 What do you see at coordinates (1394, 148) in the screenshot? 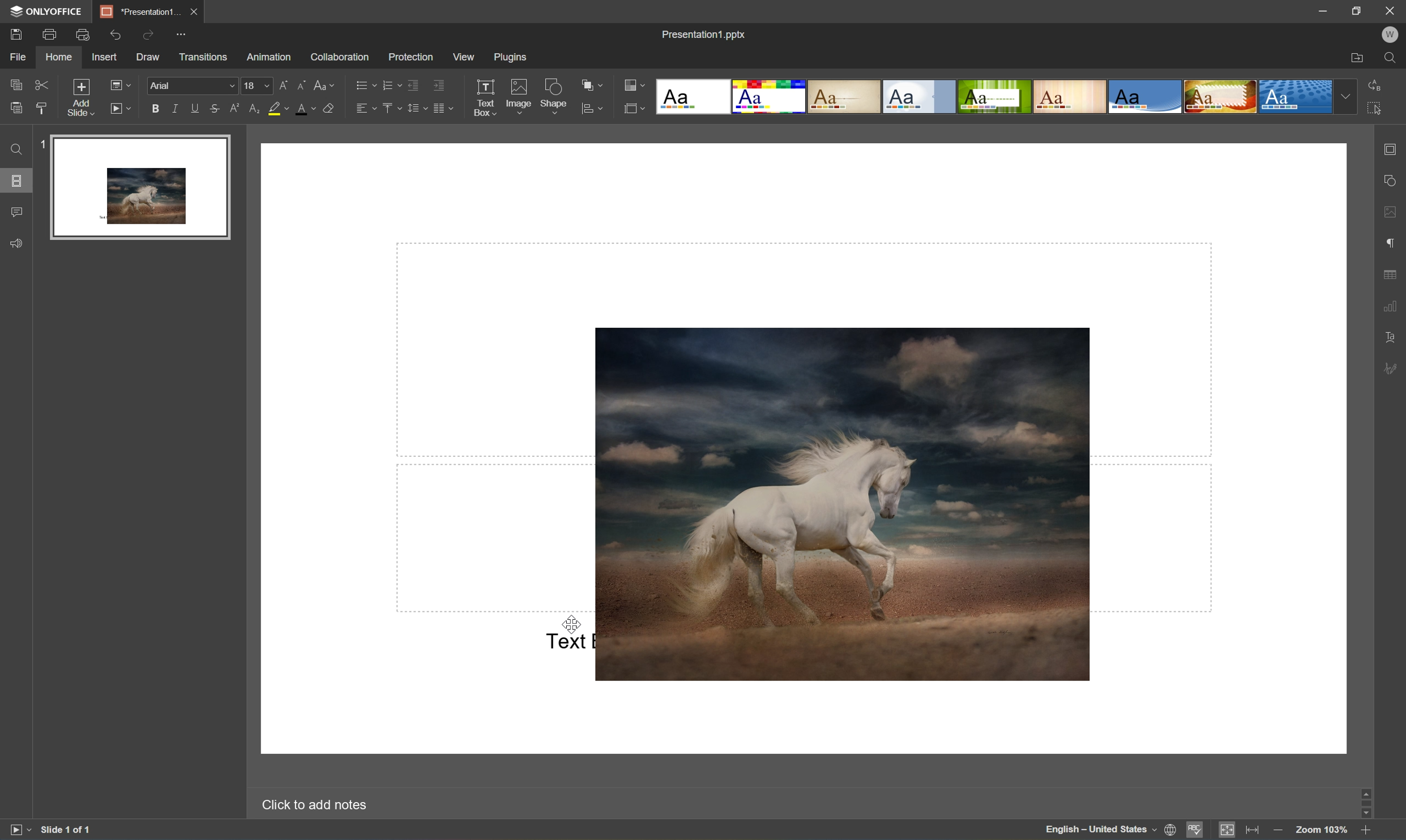
I see `Slide settings` at bounding box center [1394, 148].